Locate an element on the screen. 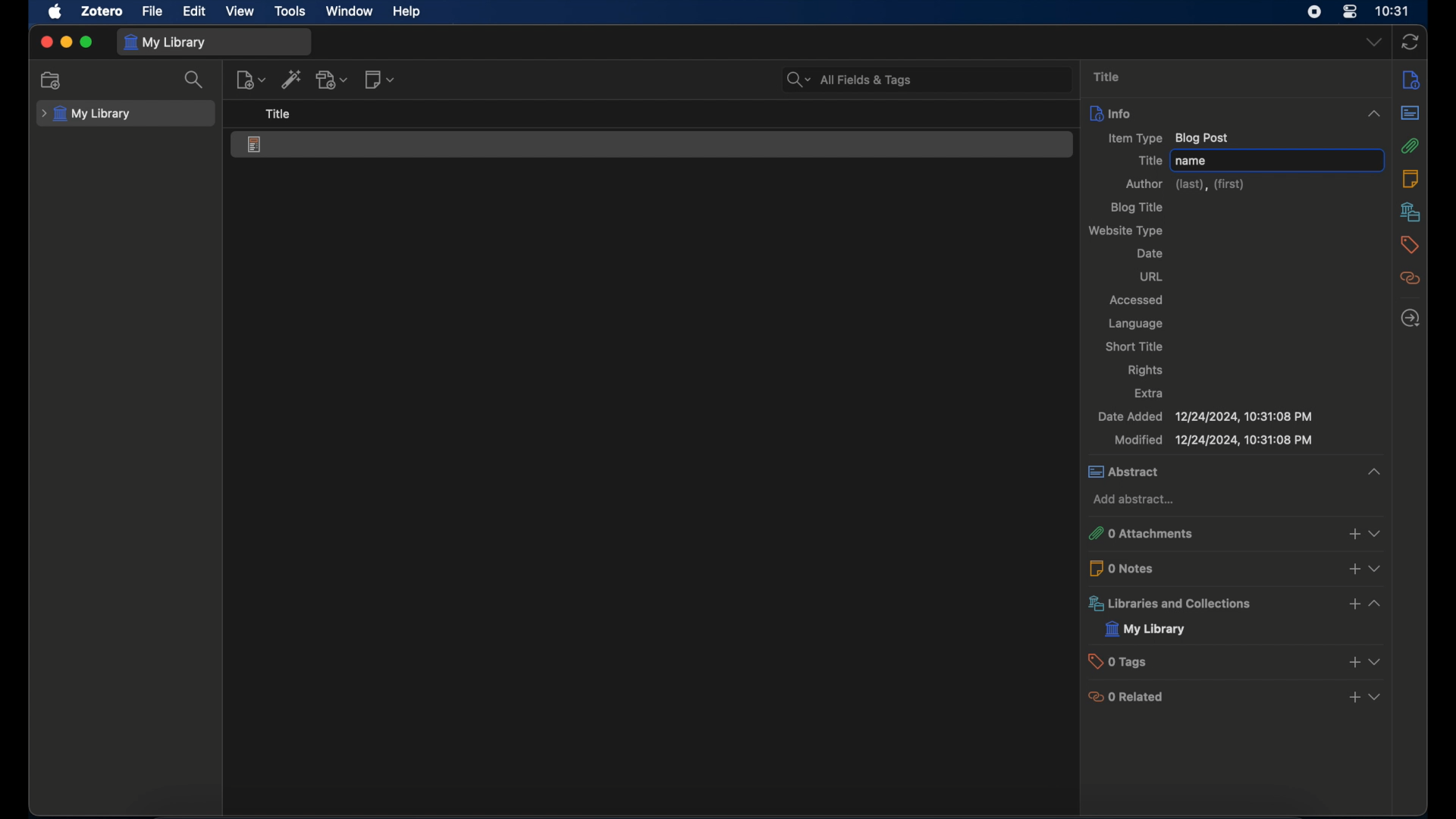  my library is located at coordinates (86, 114).